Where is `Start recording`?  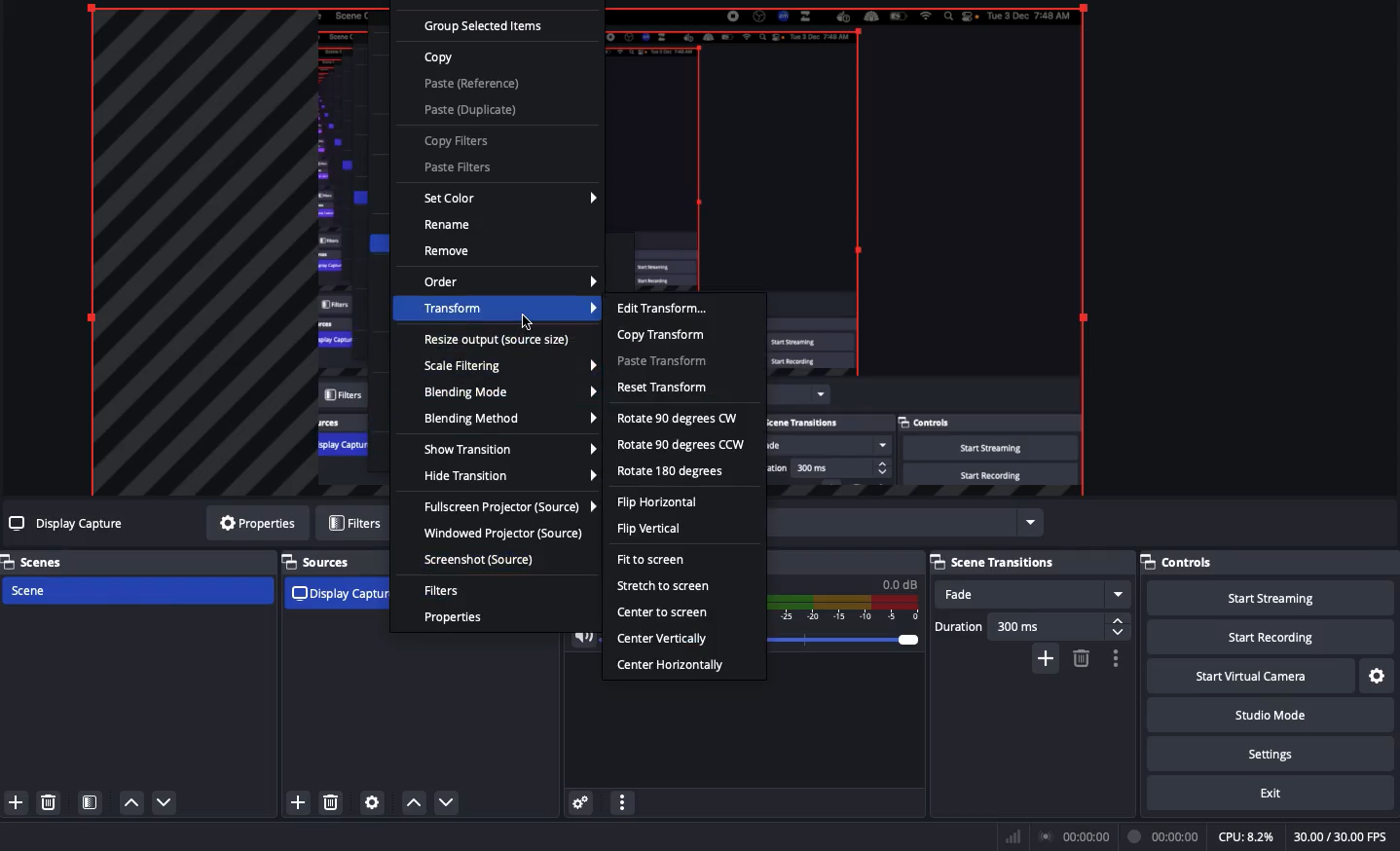 Start recording is located at coordinates (1267, 637).